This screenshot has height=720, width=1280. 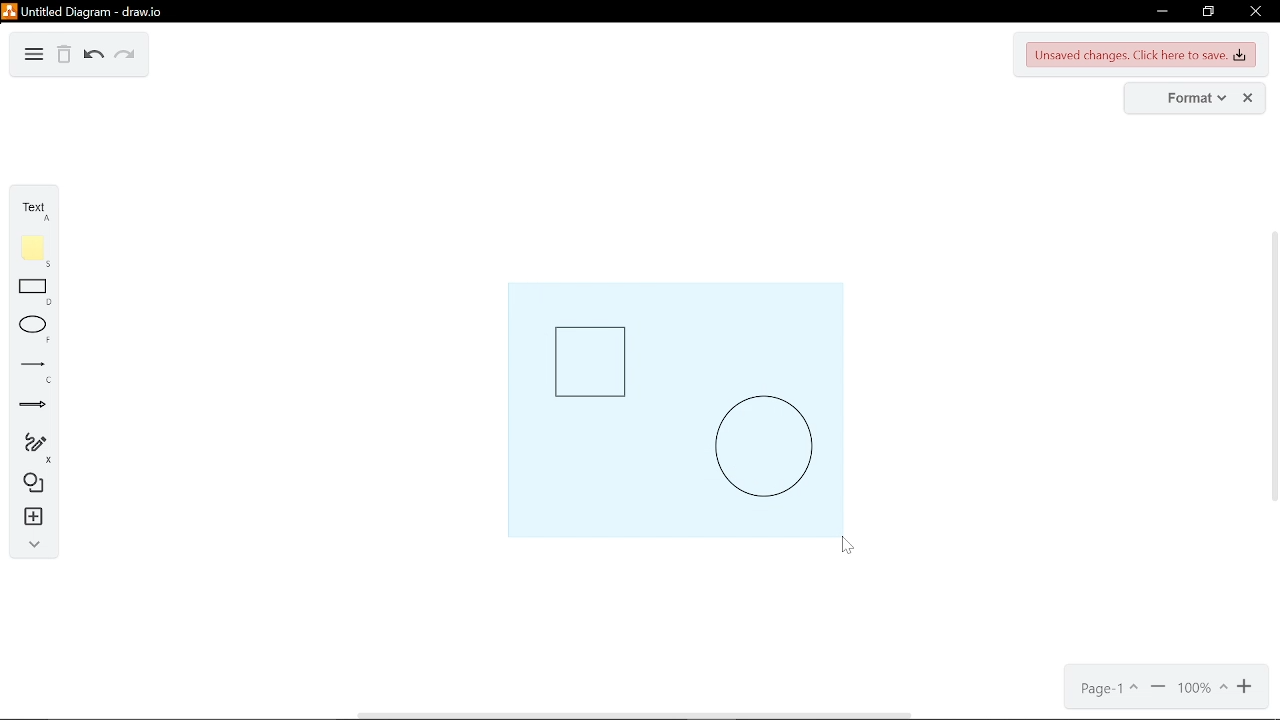 What do you see at coordinates (34, 56) in the screenshot?
I see `diagram` at bounding box center [34, 56].